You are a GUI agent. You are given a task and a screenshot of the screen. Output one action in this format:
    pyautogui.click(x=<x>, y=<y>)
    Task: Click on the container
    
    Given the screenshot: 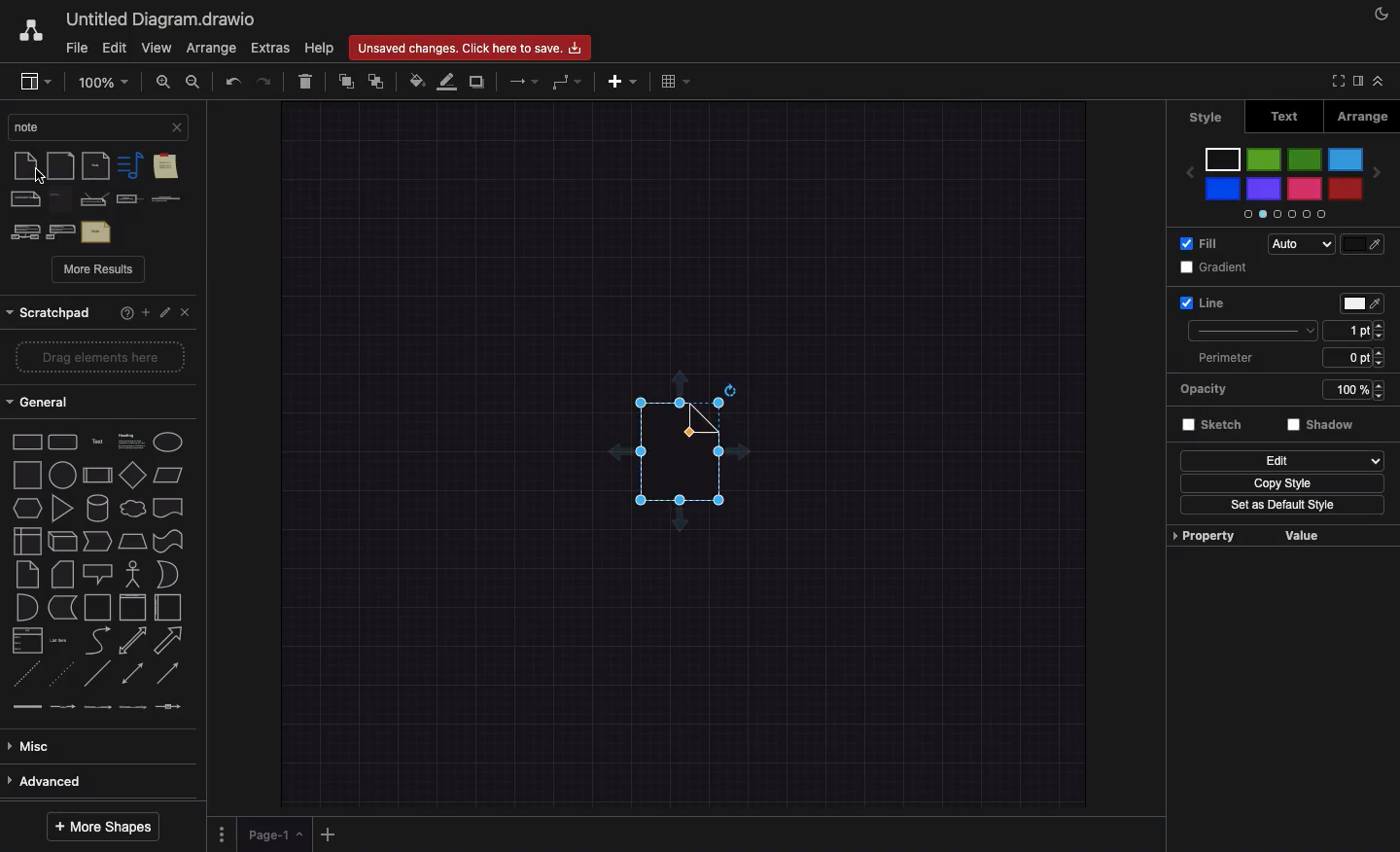 What is the action you would take?
    pyautogui.click(x=97, y=607)
    